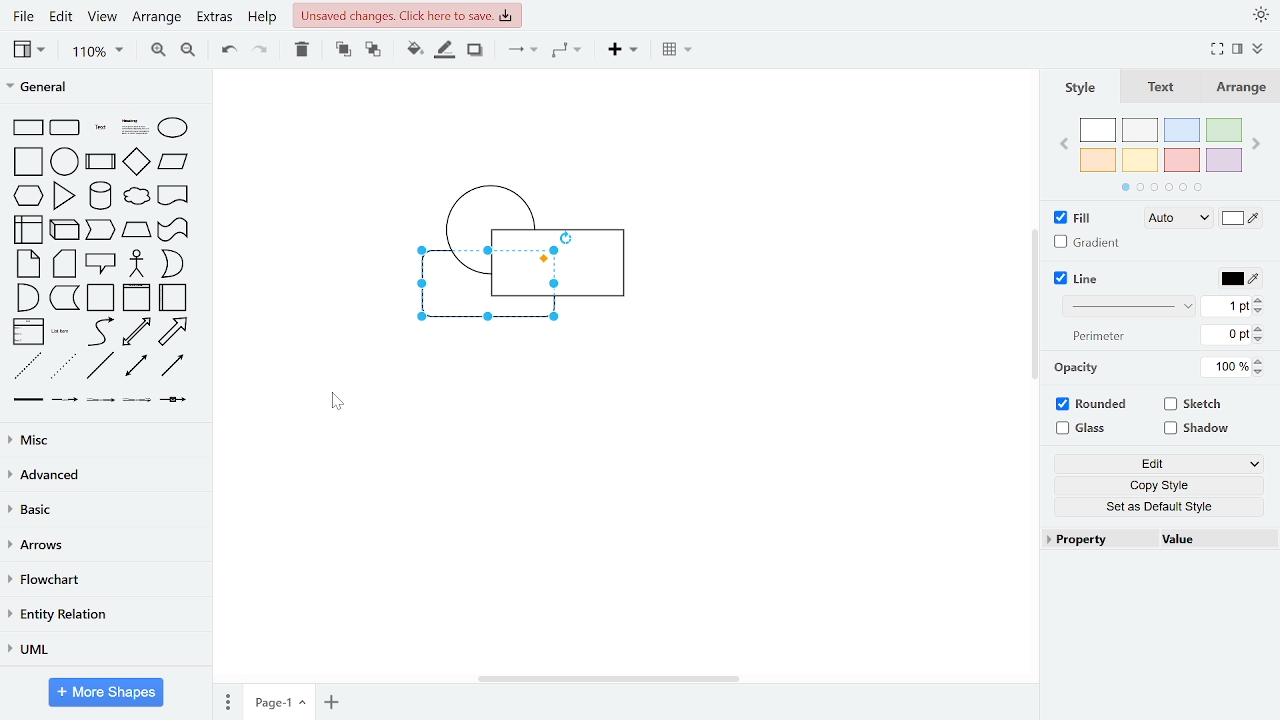  I want to click on add page, so click(330, 701).